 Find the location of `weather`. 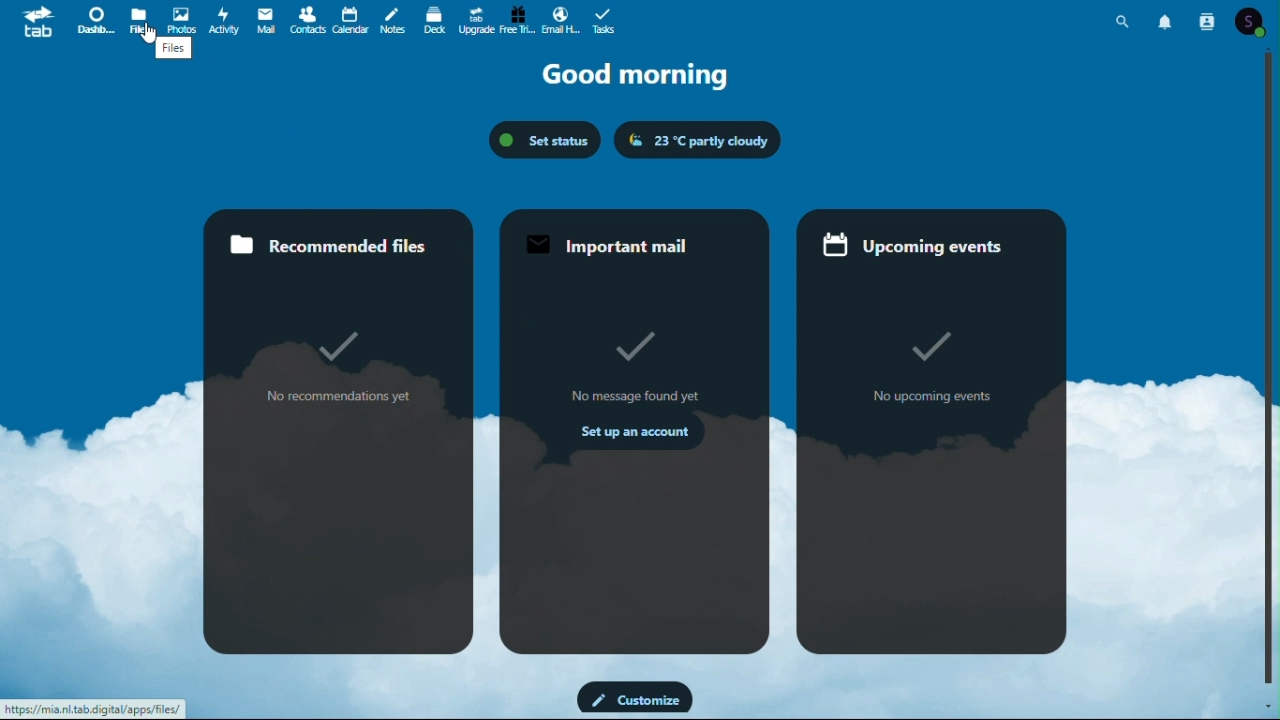

weather is located at coordinates (698, 141).